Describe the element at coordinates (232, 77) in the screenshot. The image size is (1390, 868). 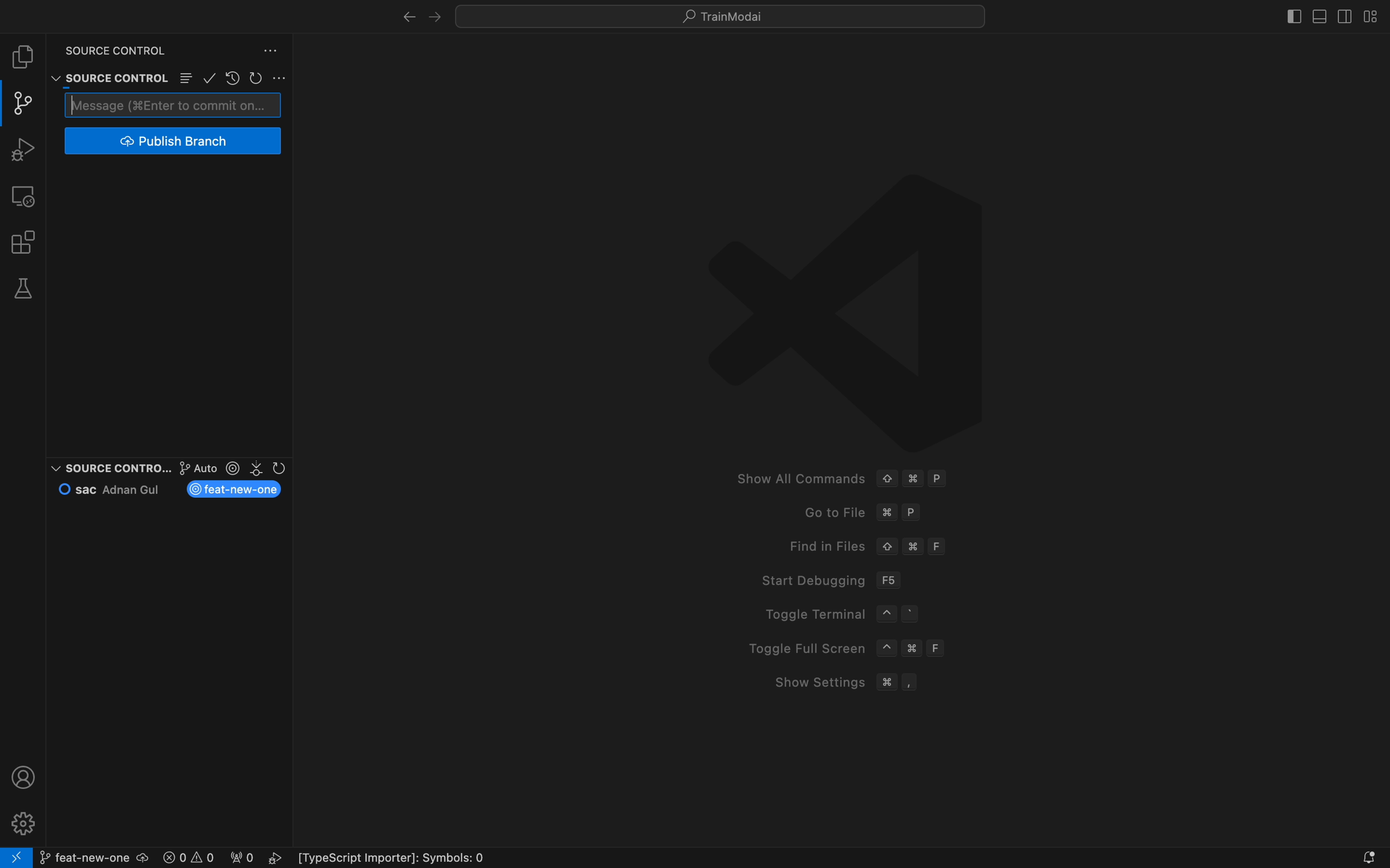
I see `restore` at that location.